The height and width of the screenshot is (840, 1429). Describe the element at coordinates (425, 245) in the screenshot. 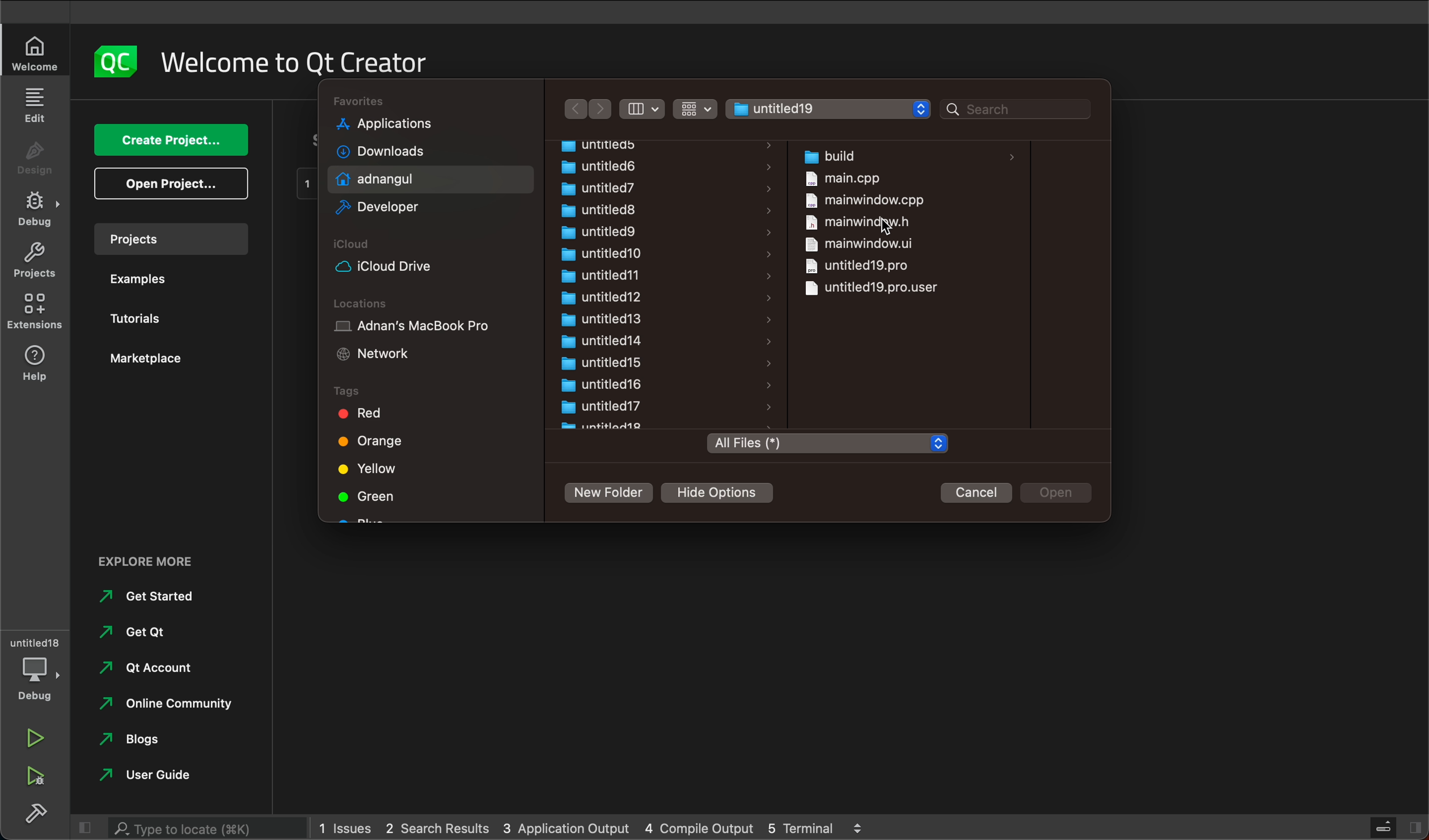

I see `Icloud` at that location.